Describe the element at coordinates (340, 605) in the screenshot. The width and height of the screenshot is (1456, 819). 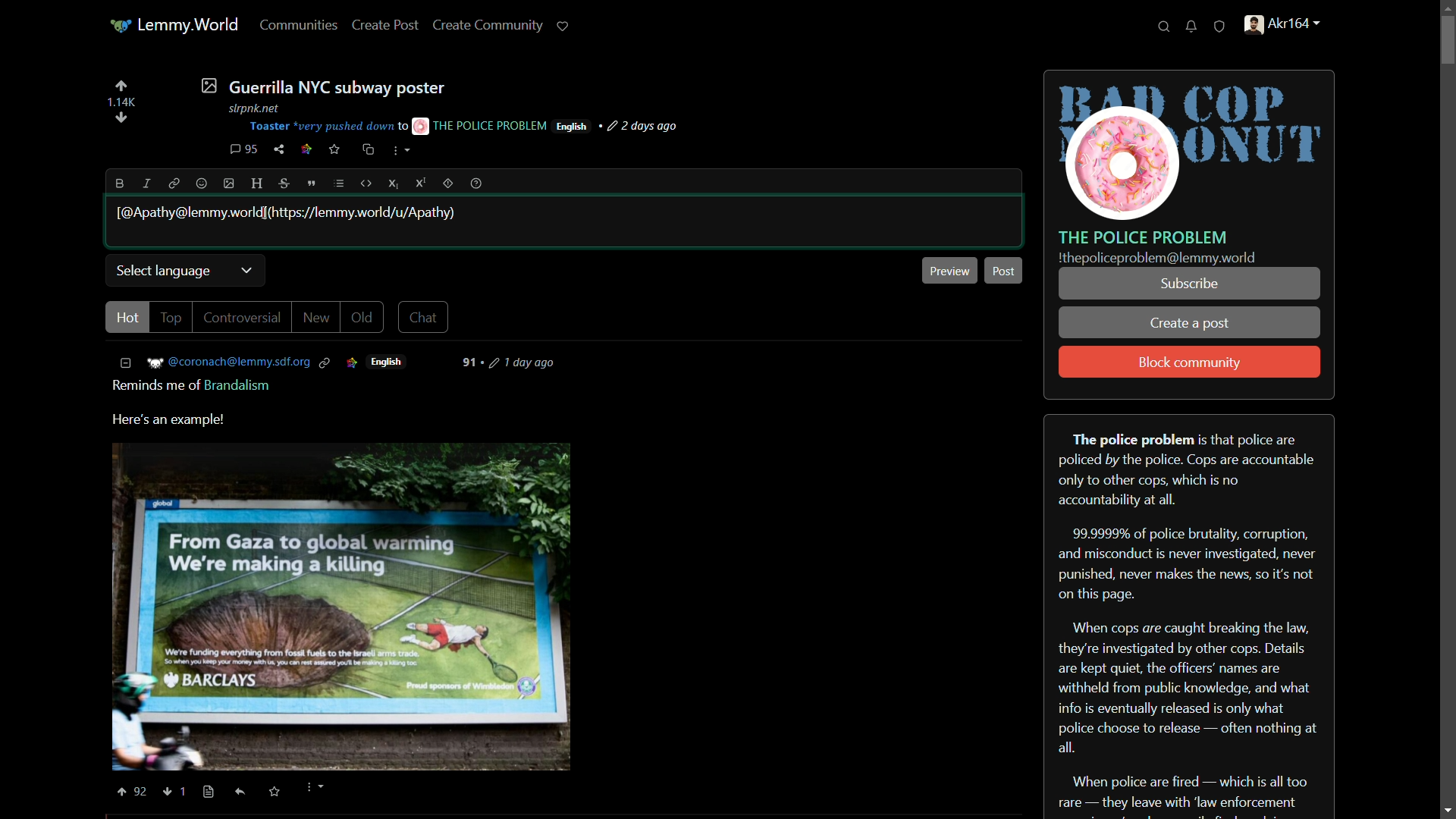
I see `image` at that location.